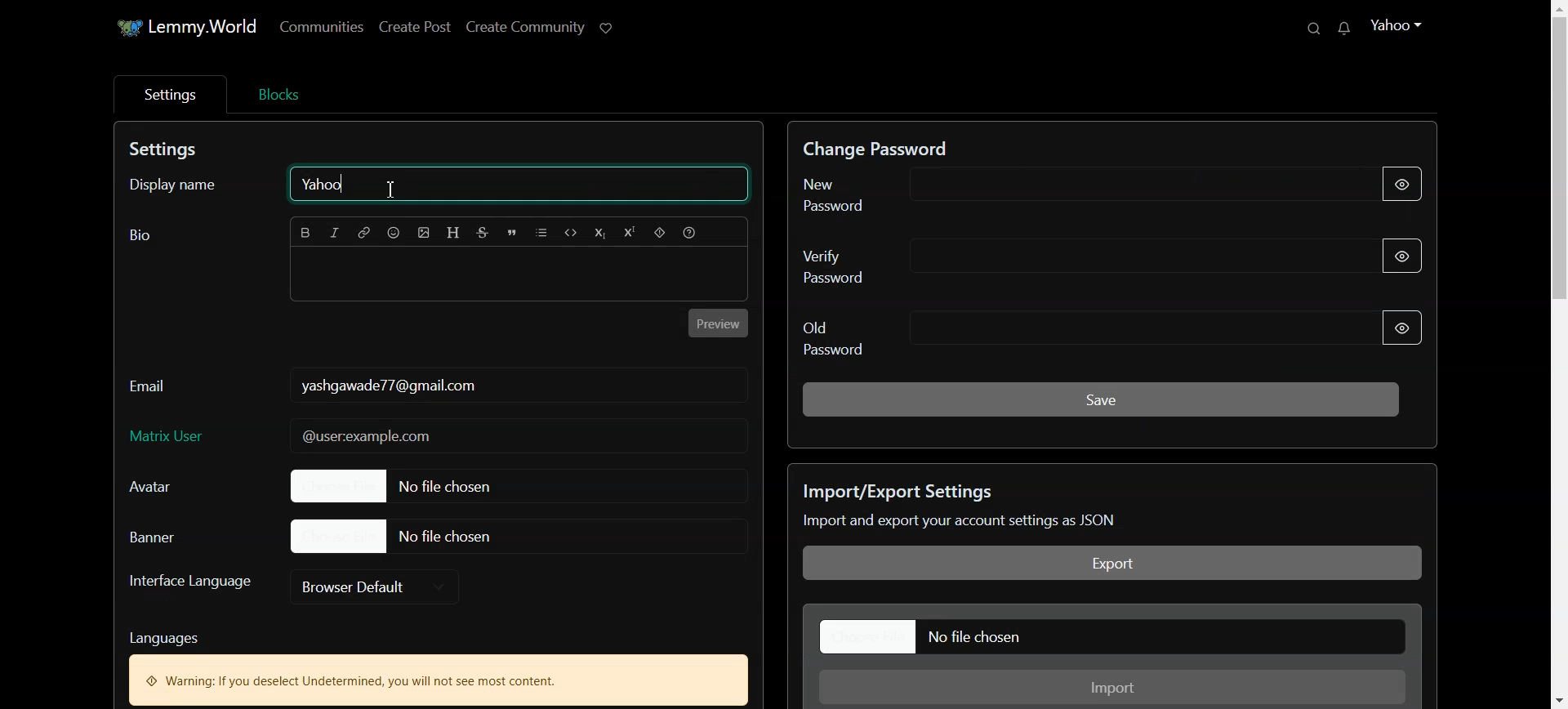 Image resolution: width=1568 pixels, height=709 pixels. Describe the element at coordinates (394, 233) in the screenshot. I see `Emoji` at that location.